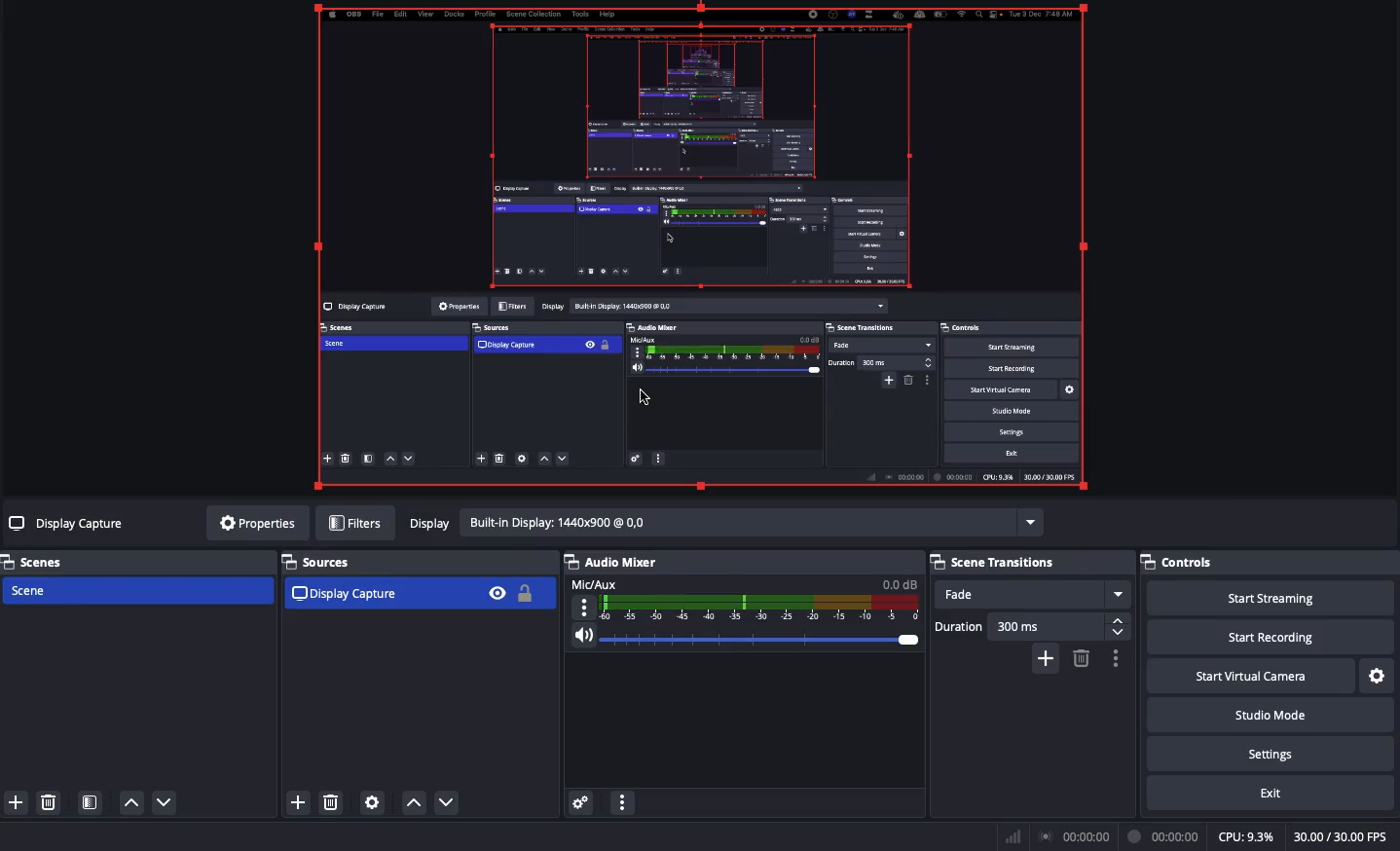 This screenshot has height=851, width=1400. I want to click on Recording, so click(1165, 836).